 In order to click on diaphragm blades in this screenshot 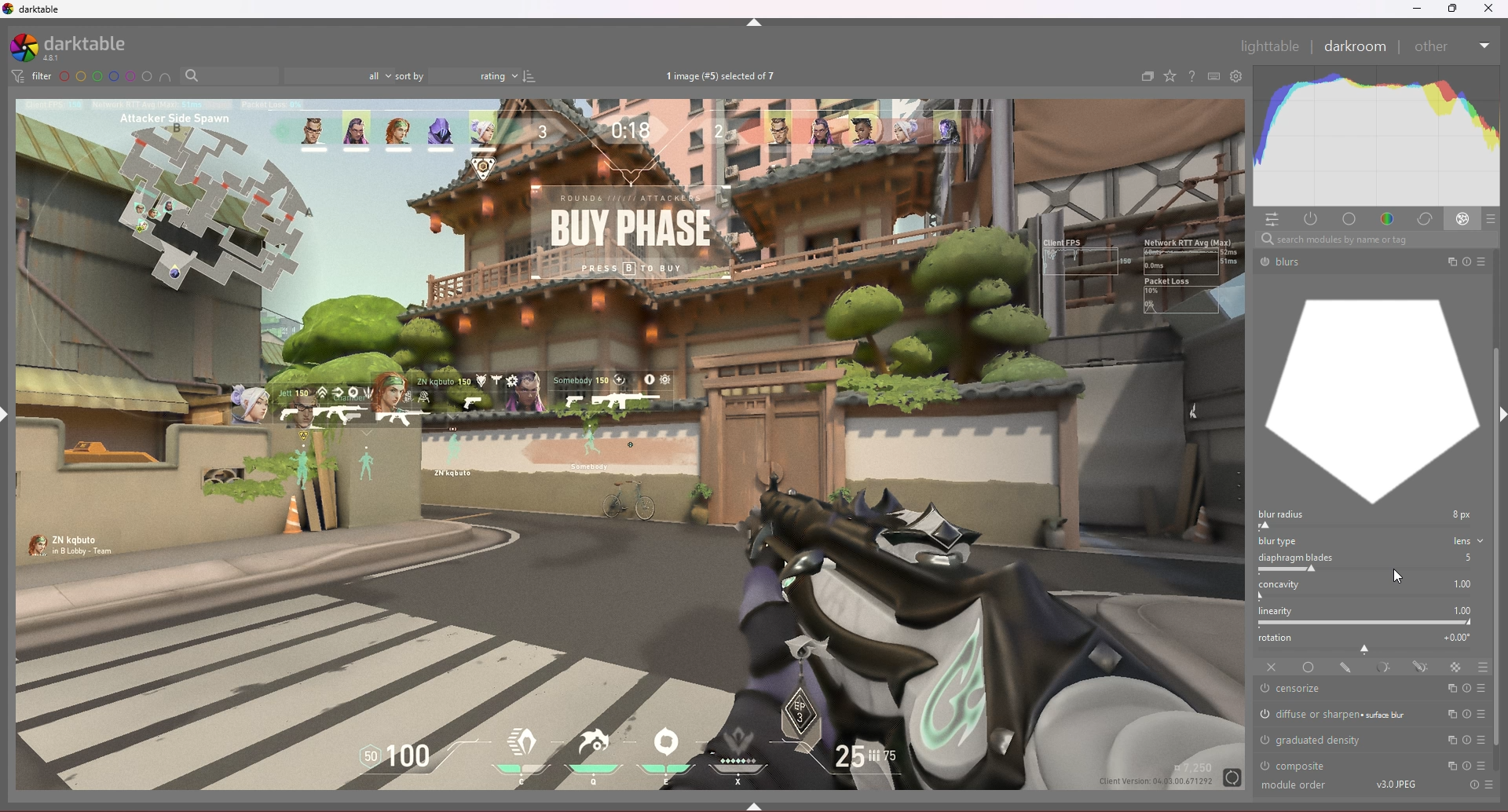, I will do `click(1370, 563)`.